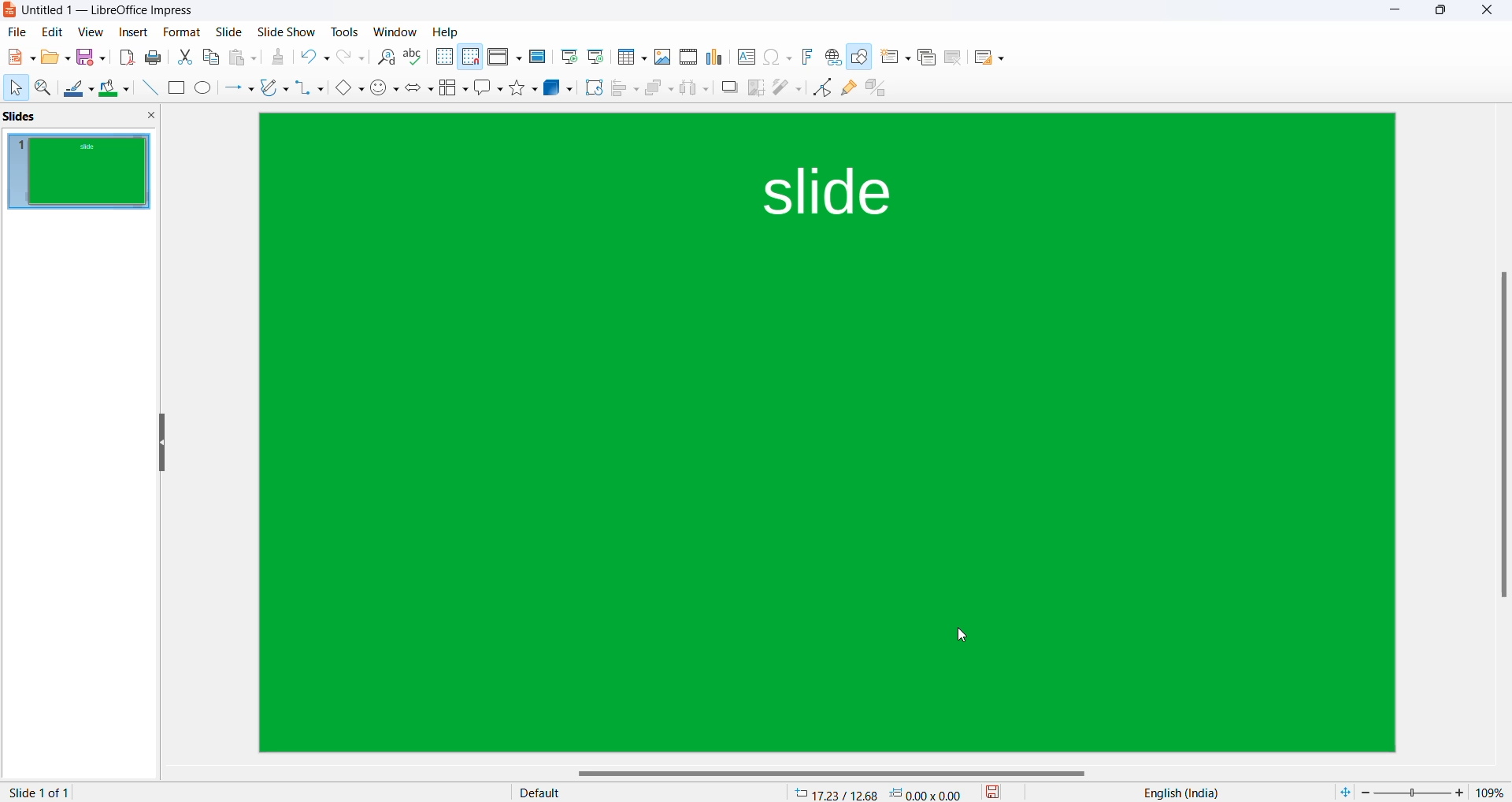 The width and height of the screenshot is (1512, 802). I want to click on save, so click(994, 791).